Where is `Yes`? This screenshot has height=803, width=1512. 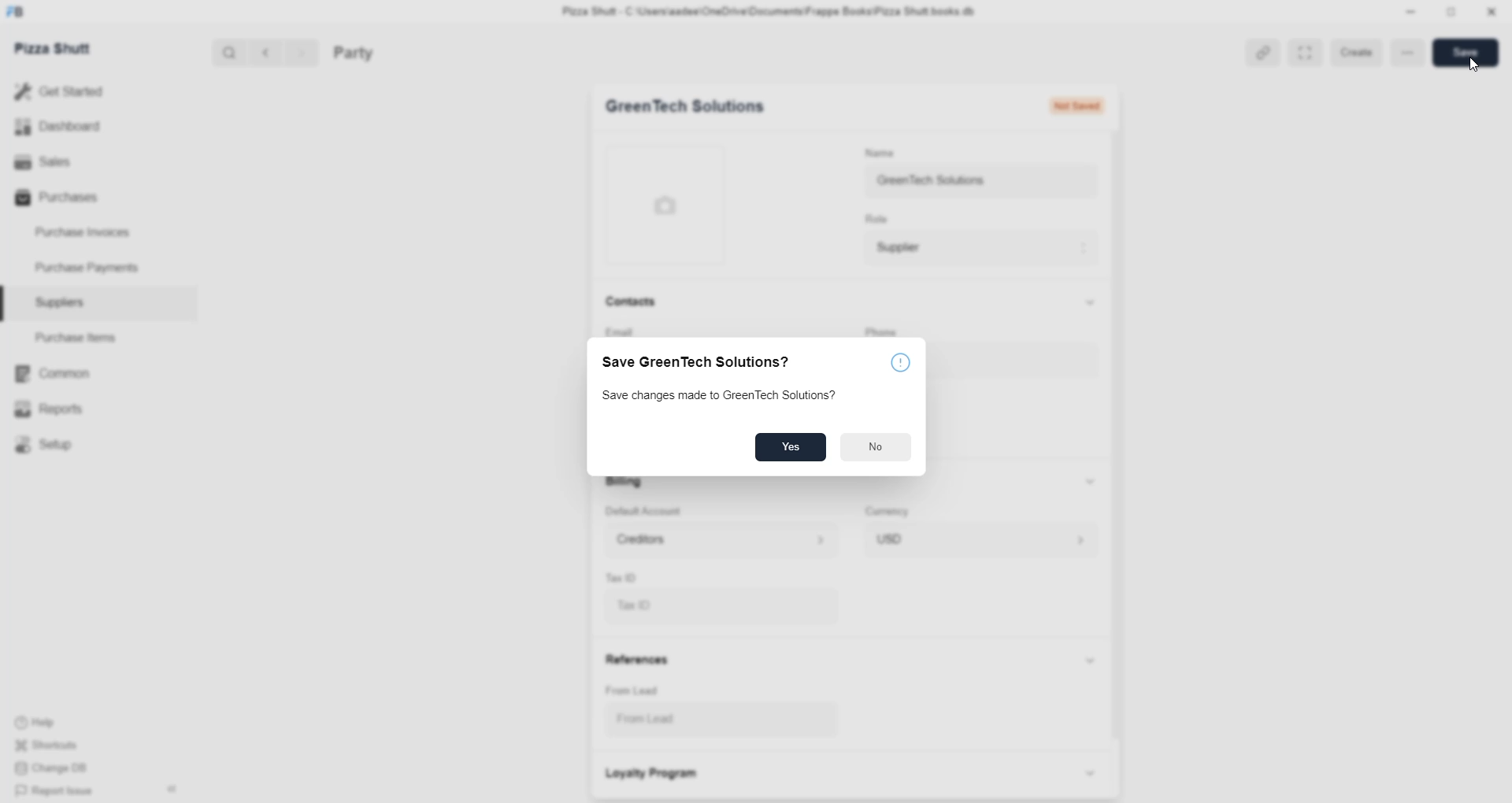
Yes is located at coordinates (794, 447).